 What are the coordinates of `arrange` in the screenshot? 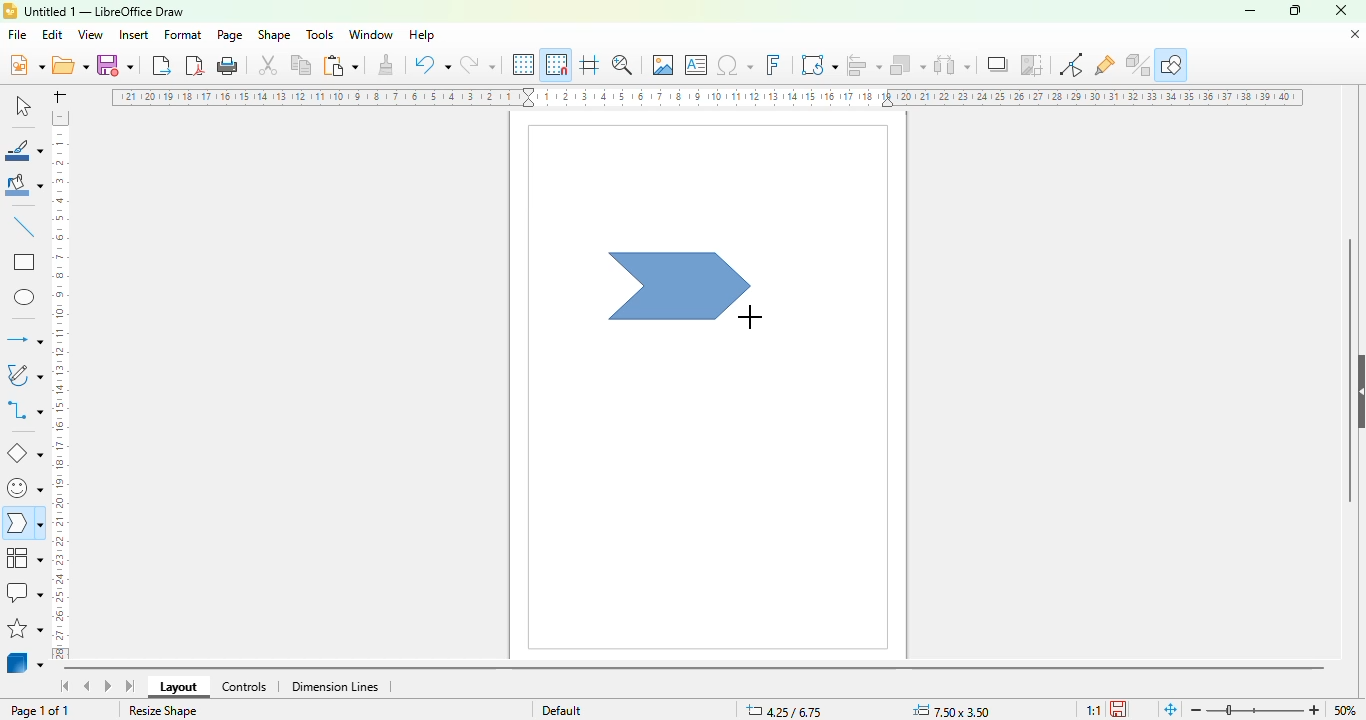 It's located at (908, 65).